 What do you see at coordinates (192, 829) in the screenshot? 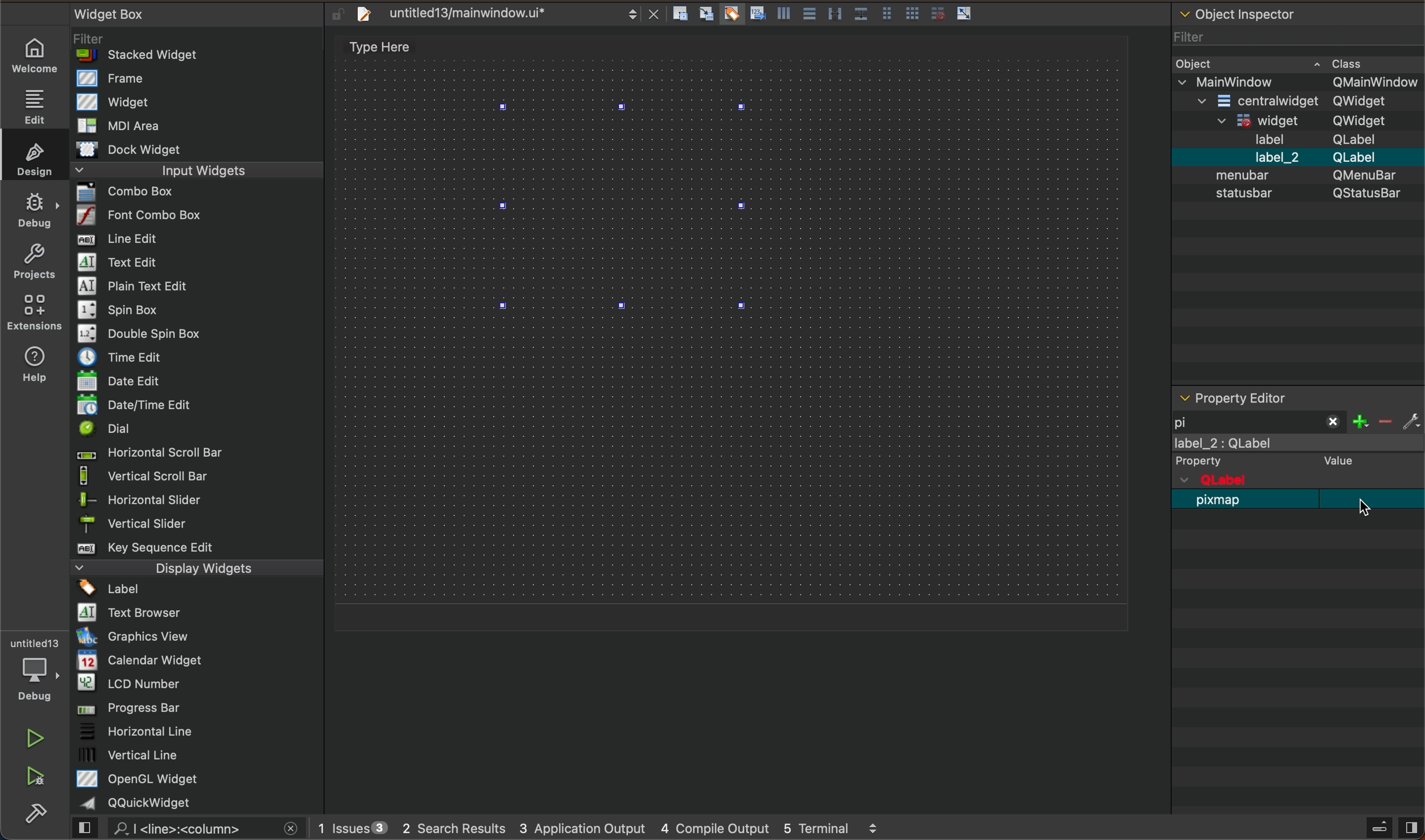
I see `search` at bounding box center [192, 829].